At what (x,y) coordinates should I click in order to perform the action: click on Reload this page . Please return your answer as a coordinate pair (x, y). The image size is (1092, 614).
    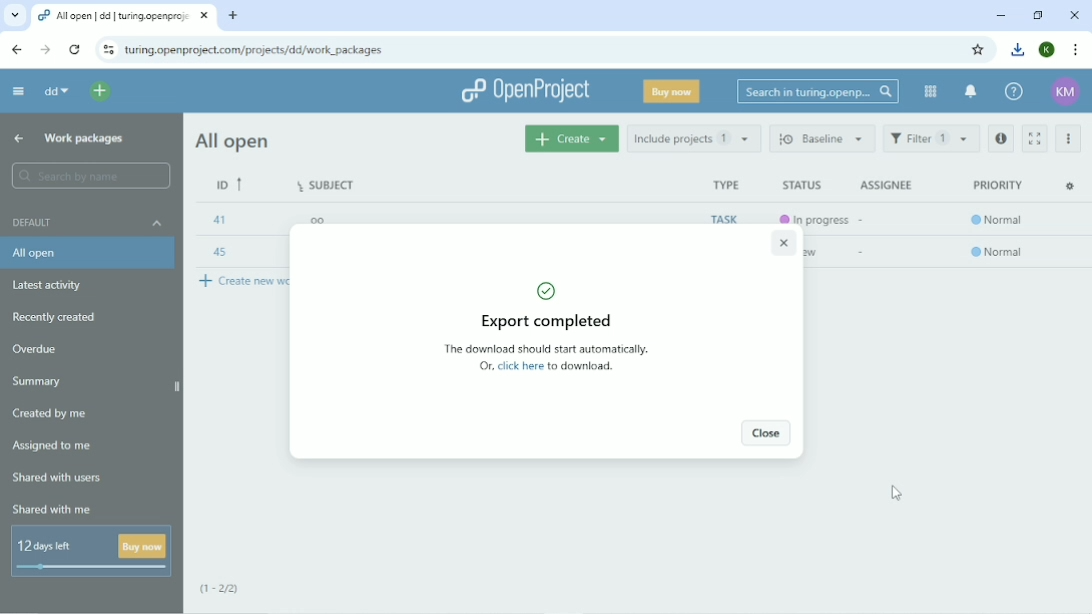
    Looking at the image, I should click on (74, 50).